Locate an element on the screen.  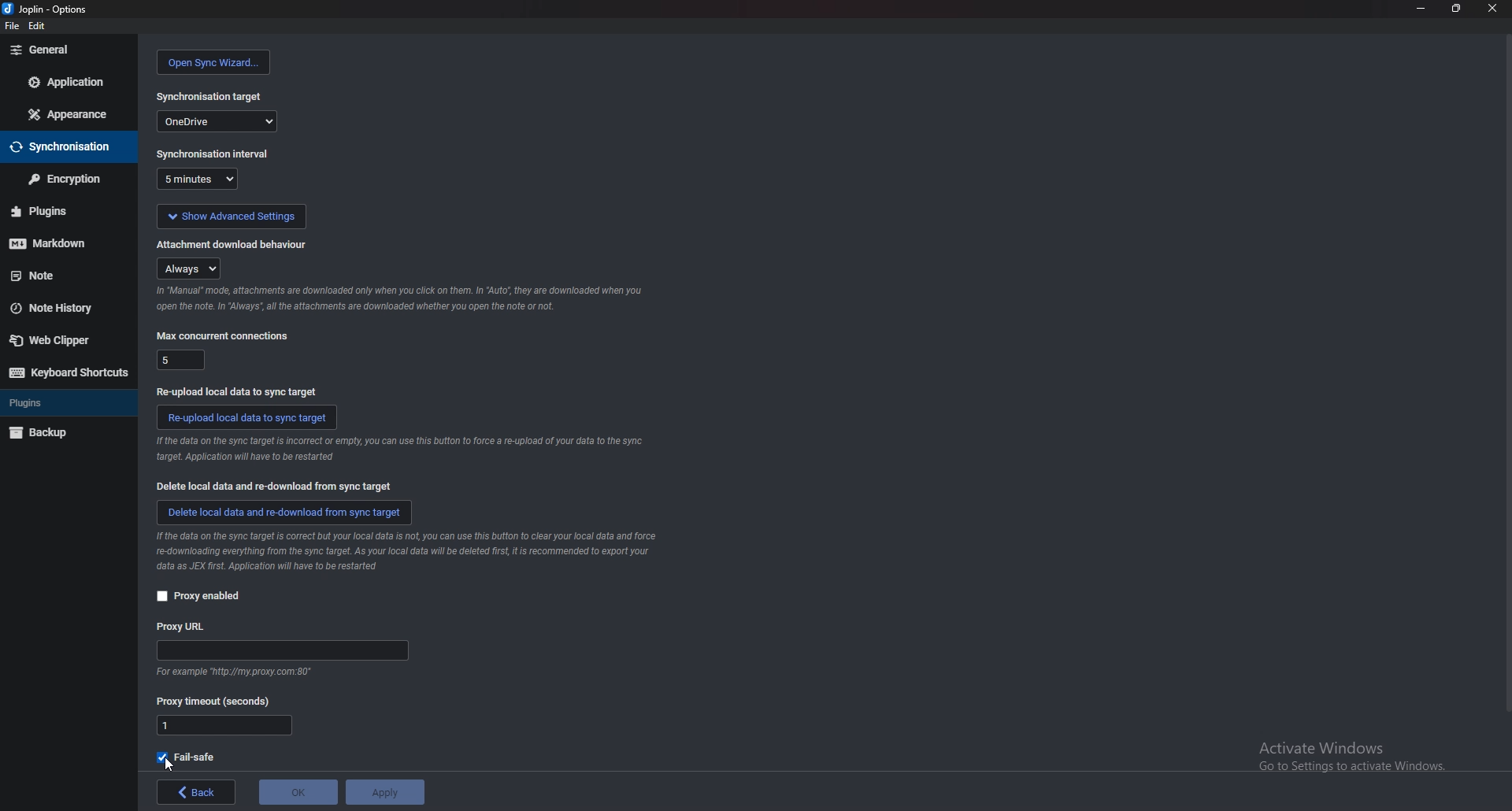
max concurrent connections is located at coordinates (224, 334).